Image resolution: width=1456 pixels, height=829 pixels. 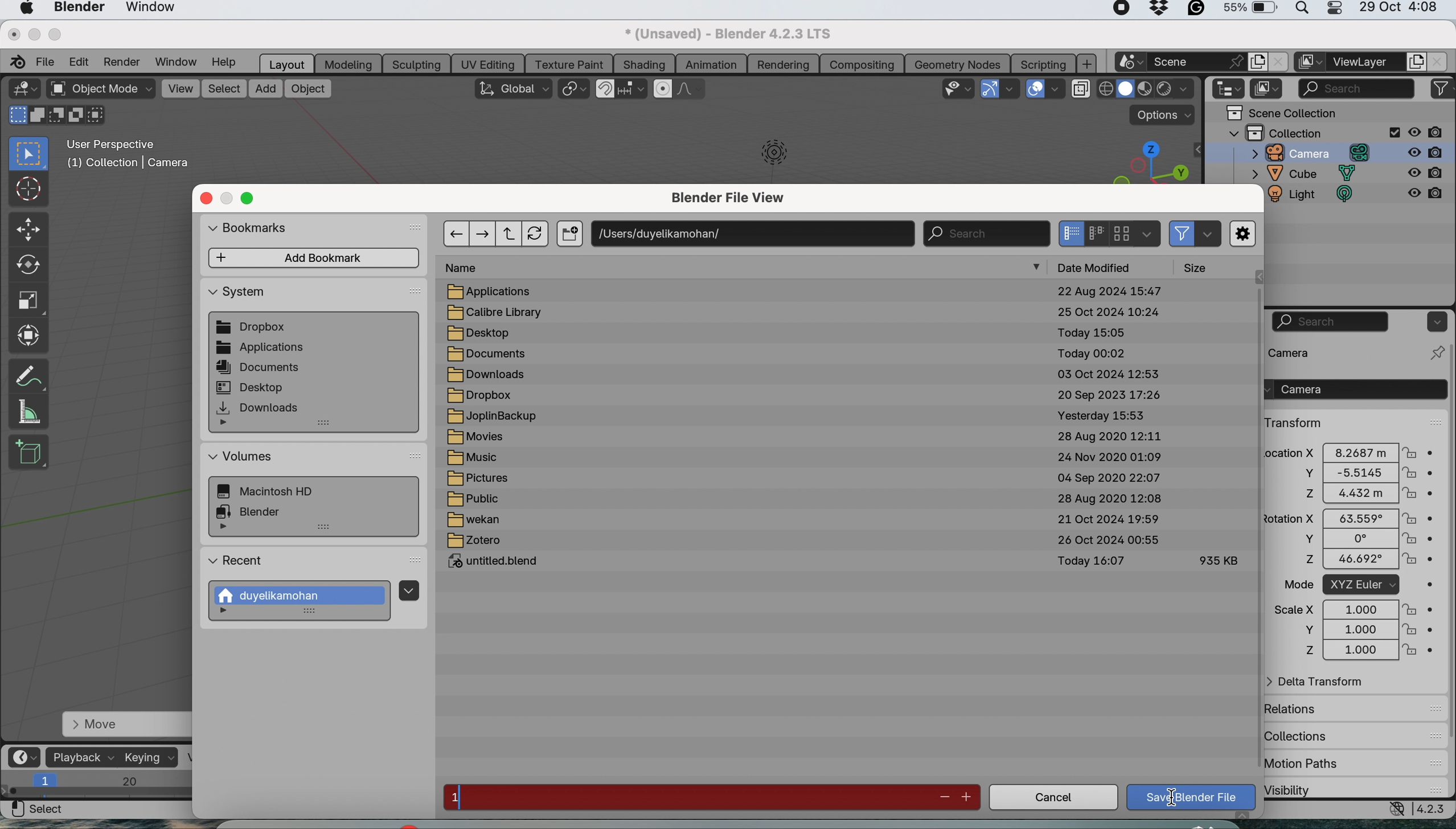 What do you see at coordinates (484, 232) in the screenshot?
I see `next folder` at bounding box center [484, 232].